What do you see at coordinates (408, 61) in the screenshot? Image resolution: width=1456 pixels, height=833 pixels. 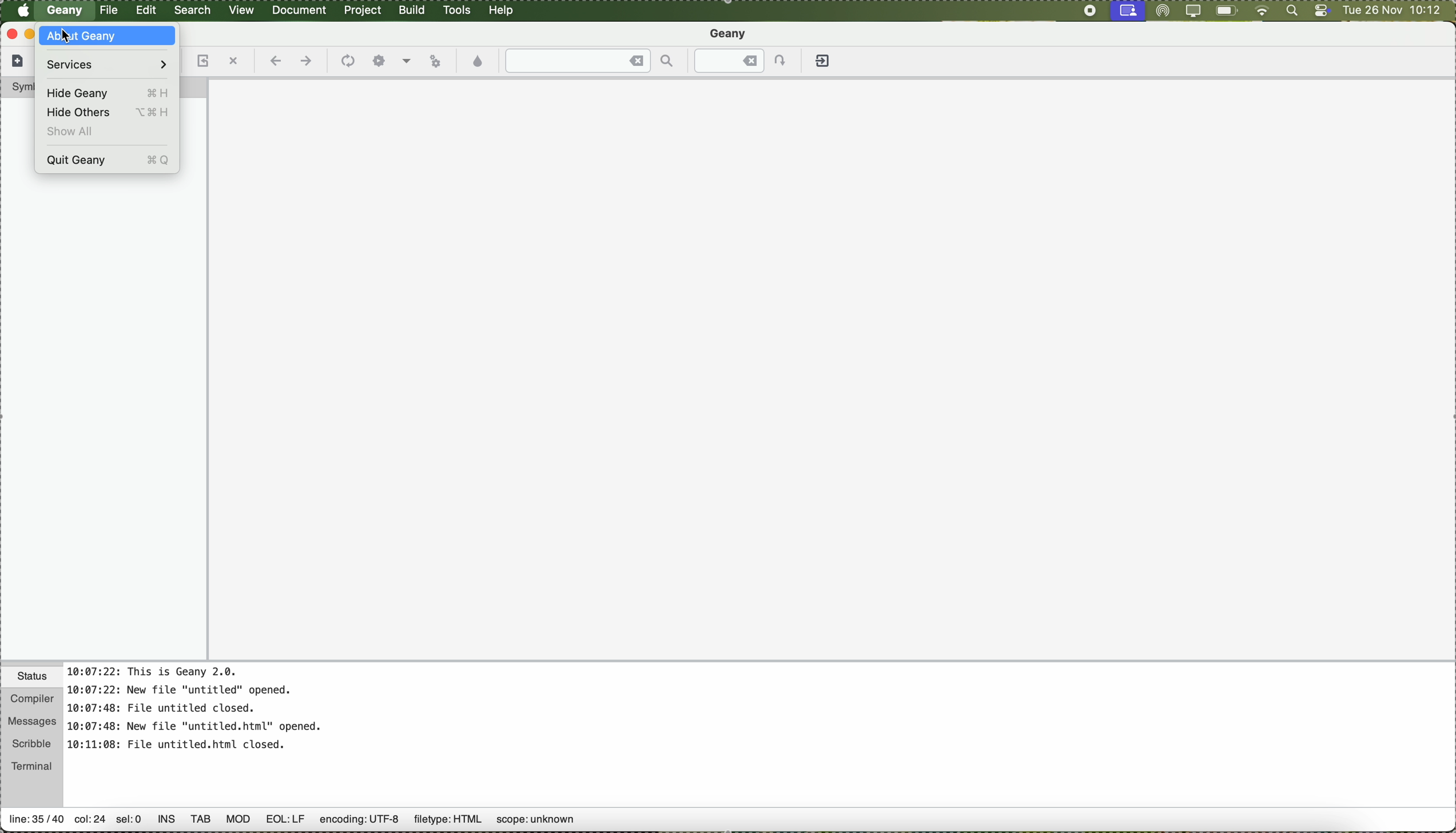 I see `Choose more options` at bounding box center [408, 61].